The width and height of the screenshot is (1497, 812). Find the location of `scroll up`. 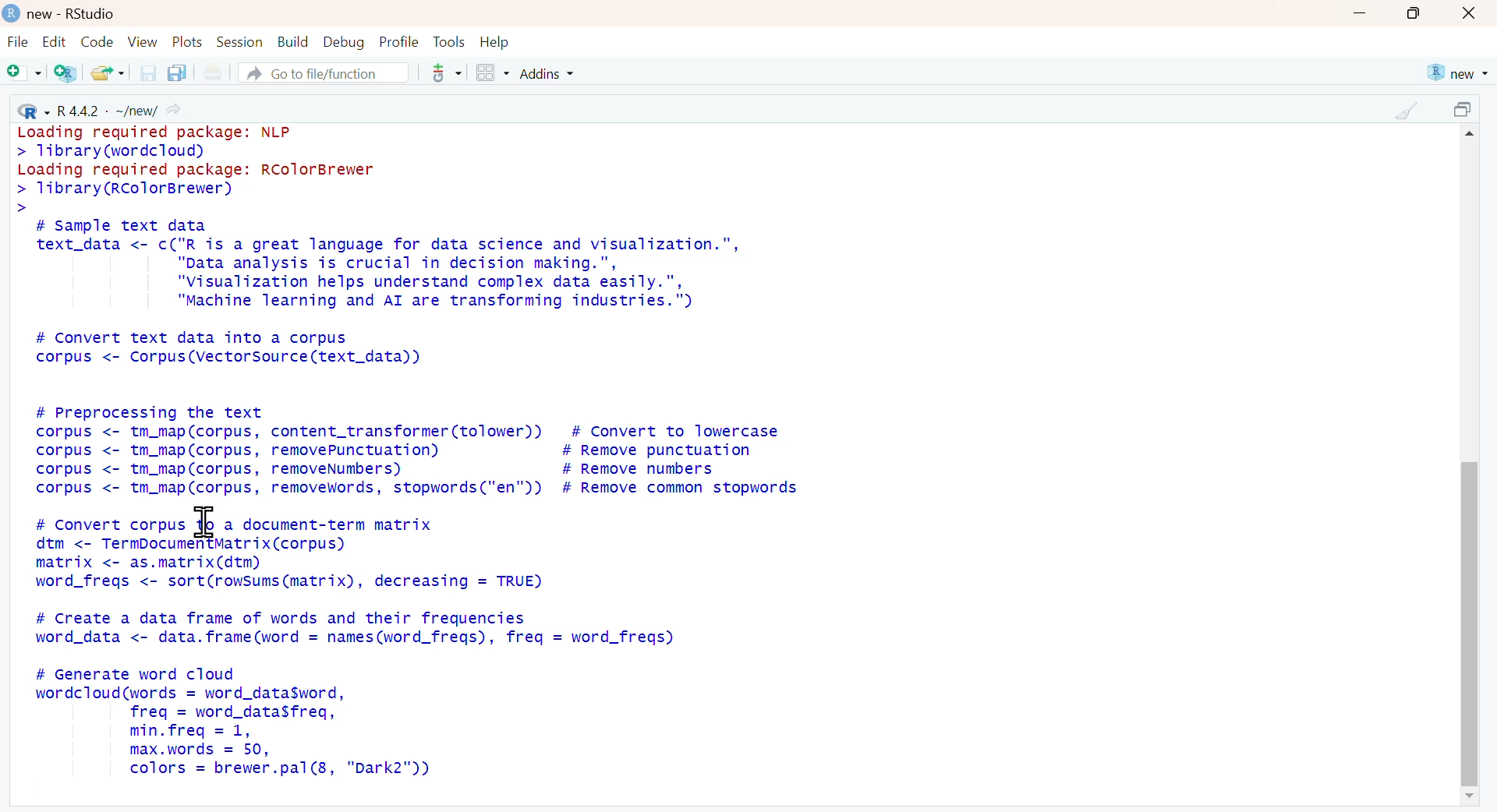

scroll up is located at coordinates (1474, 135).